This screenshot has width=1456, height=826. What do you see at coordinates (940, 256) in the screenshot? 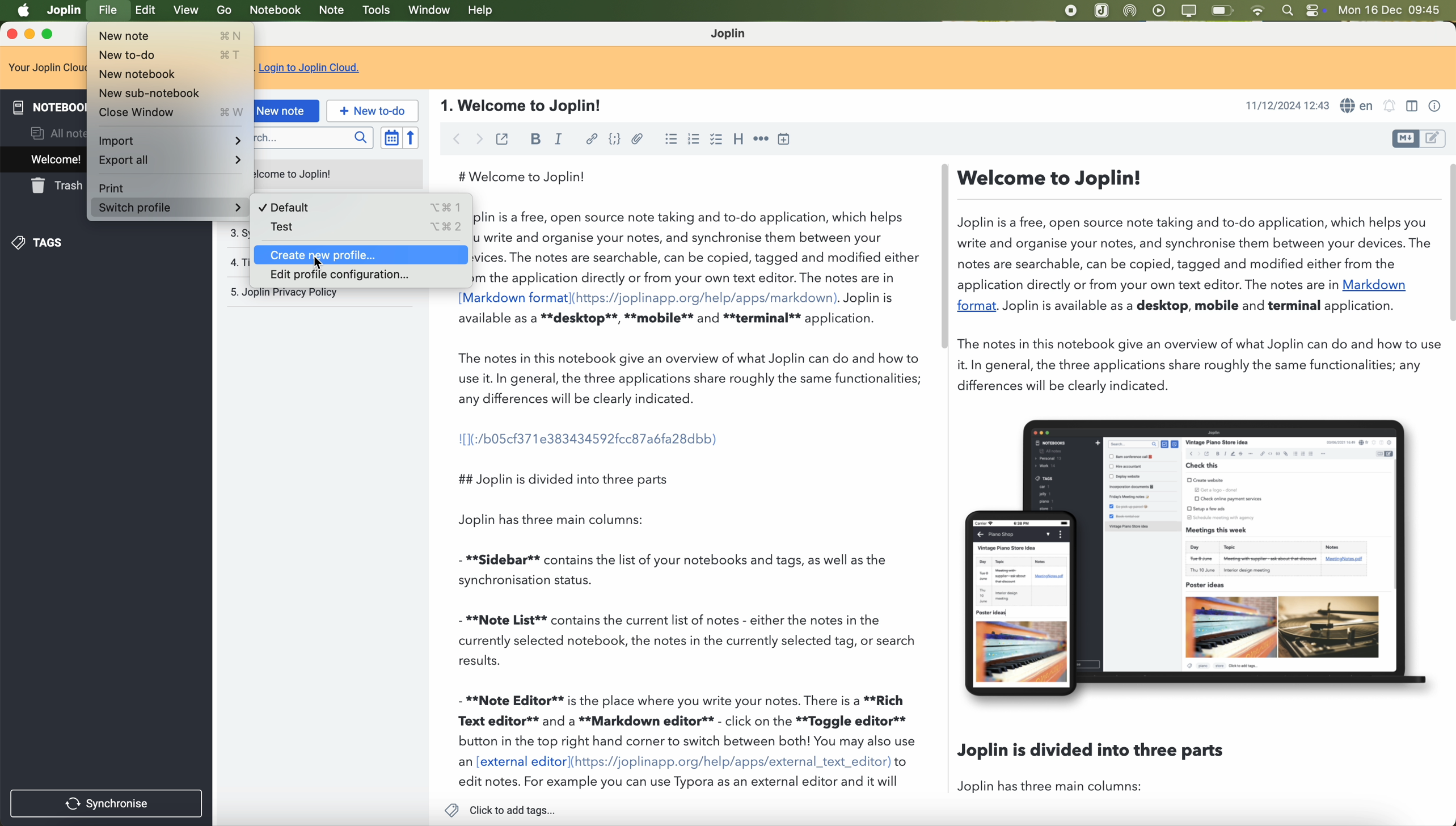
I see `scroll bar` at bounding box center [940, 256].